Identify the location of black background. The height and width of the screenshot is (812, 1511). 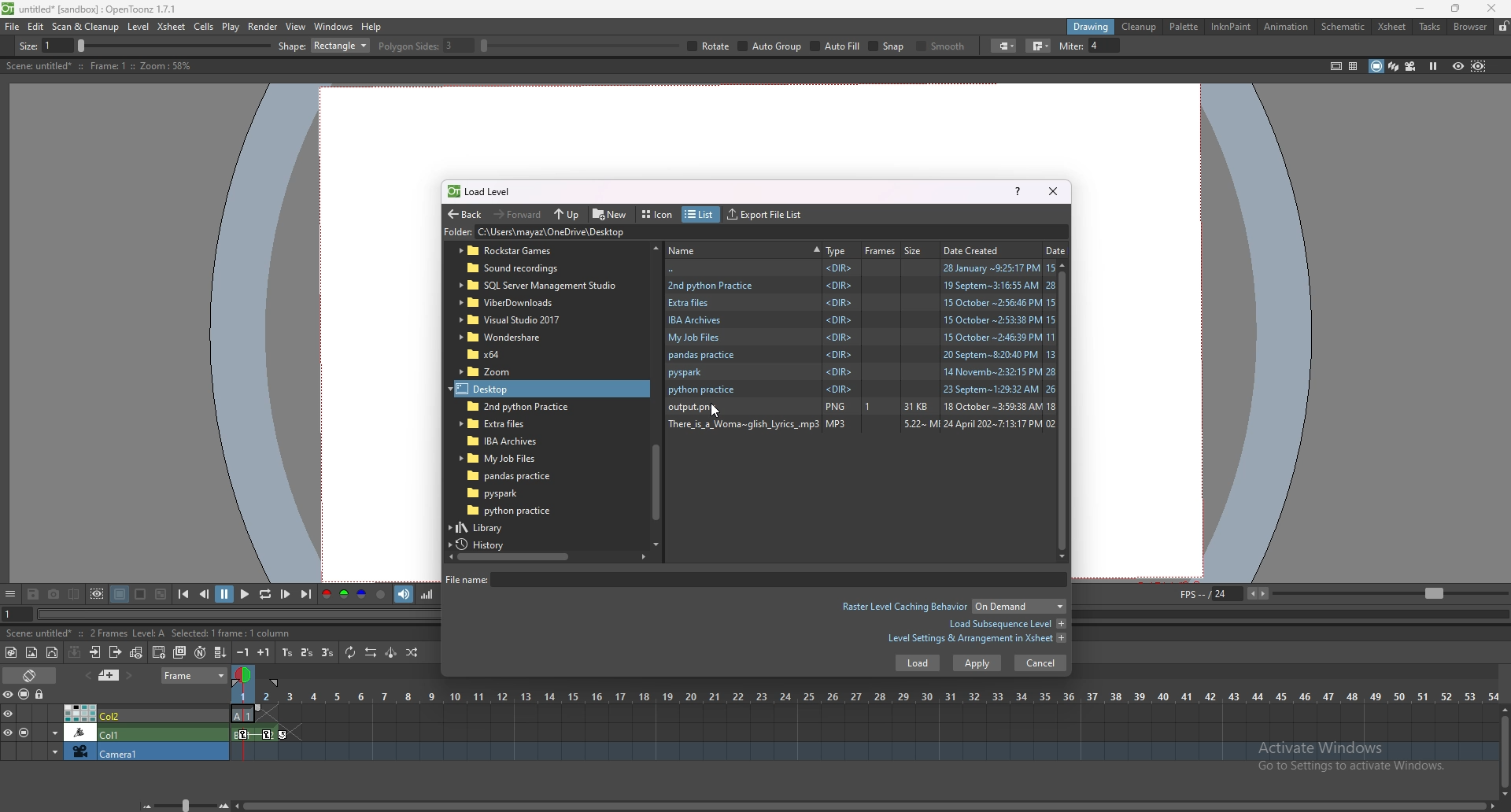
(120, 594).